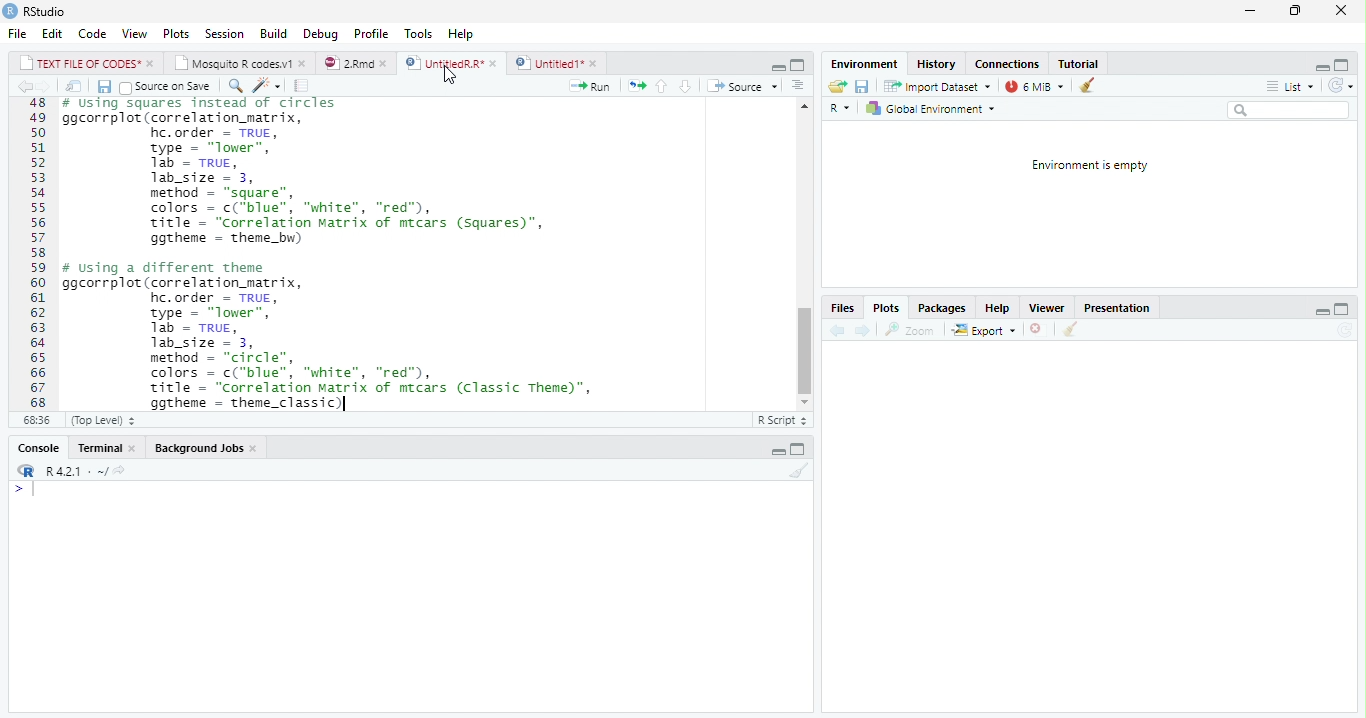 The height and width of the screenshot is (718, 1366). I want to click on 68.36, so click(34, 420).